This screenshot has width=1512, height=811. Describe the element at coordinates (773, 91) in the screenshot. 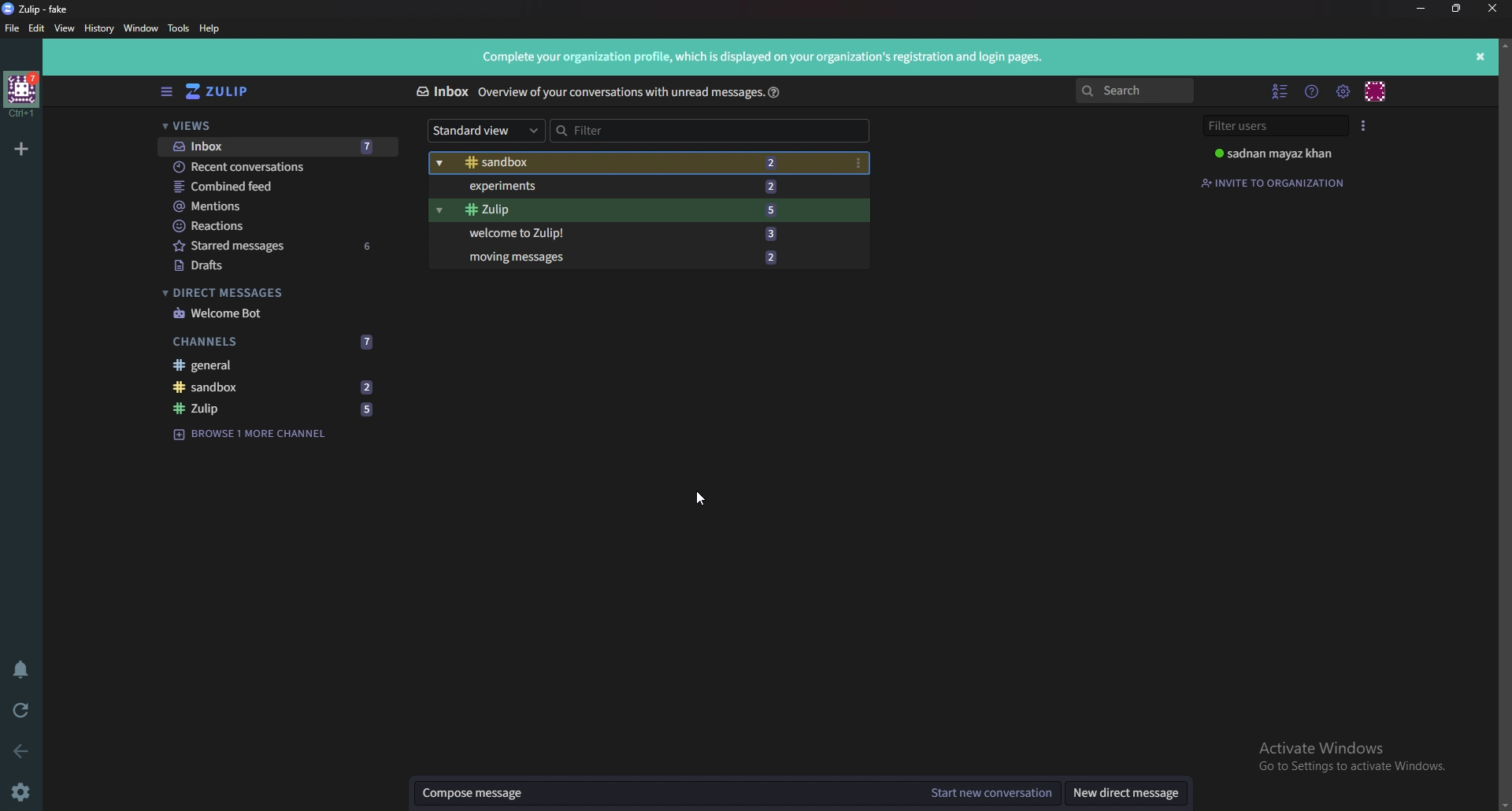

I see `help` at that location.